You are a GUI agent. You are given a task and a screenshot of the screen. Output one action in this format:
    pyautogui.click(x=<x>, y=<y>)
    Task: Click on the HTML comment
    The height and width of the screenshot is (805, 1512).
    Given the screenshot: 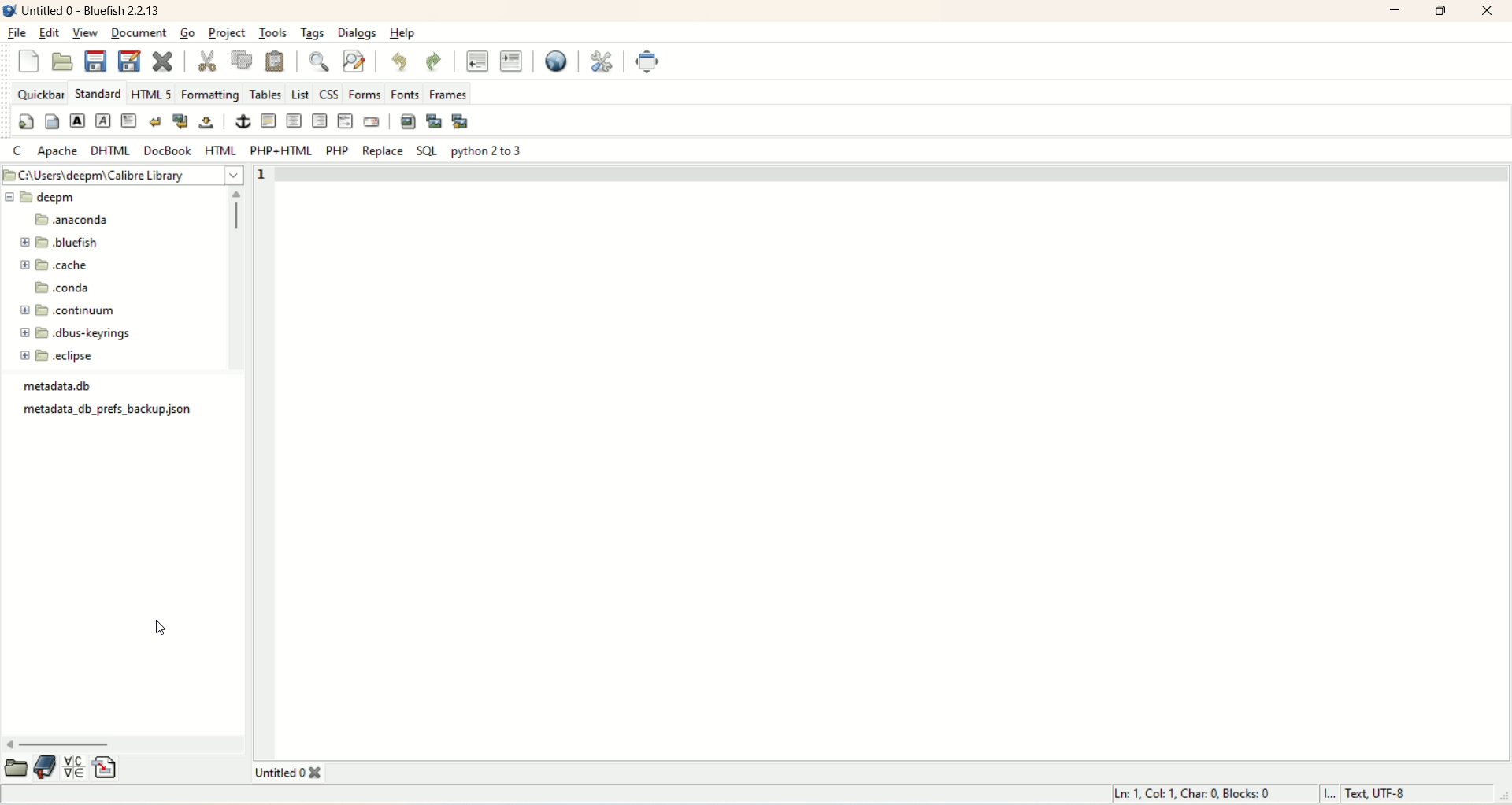 What is the action you would take?
    pyautogui.click(x=345, y=121)
    